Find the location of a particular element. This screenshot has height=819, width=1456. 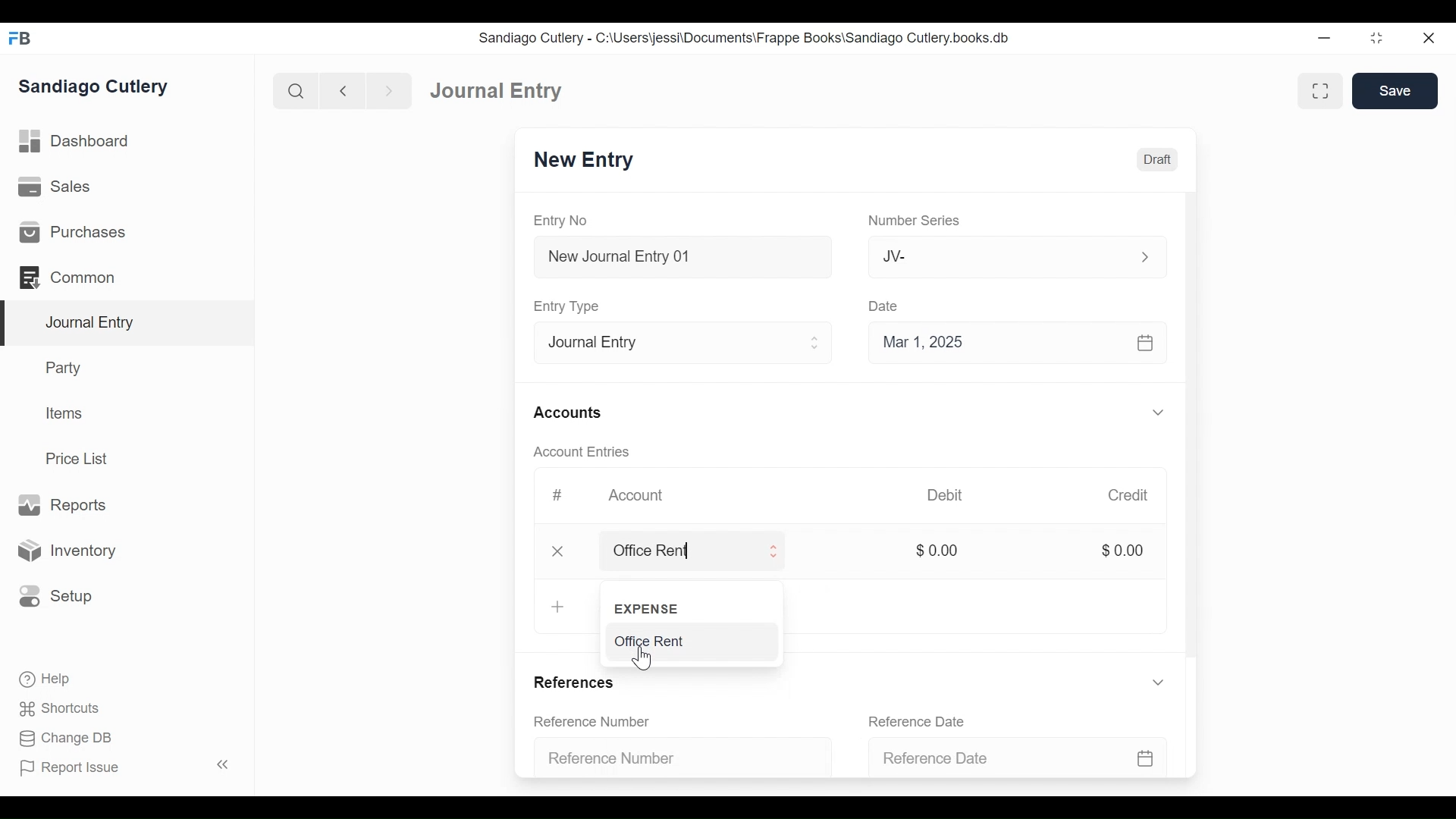

Report Issue is located at coordinates (76, 769).